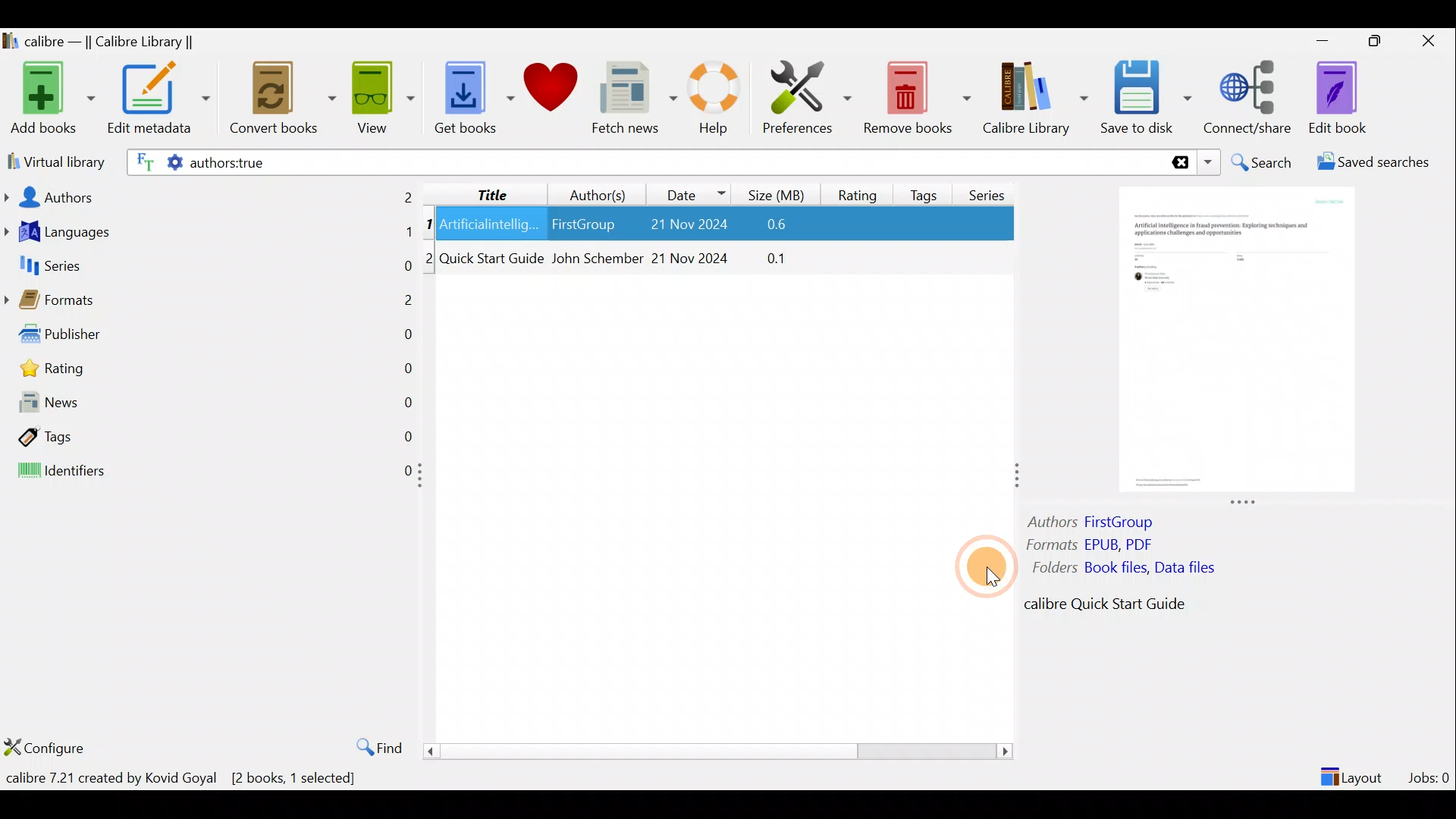 This screenshot has width=1456, height=819. I want to click on Donate, so click(551, 93).